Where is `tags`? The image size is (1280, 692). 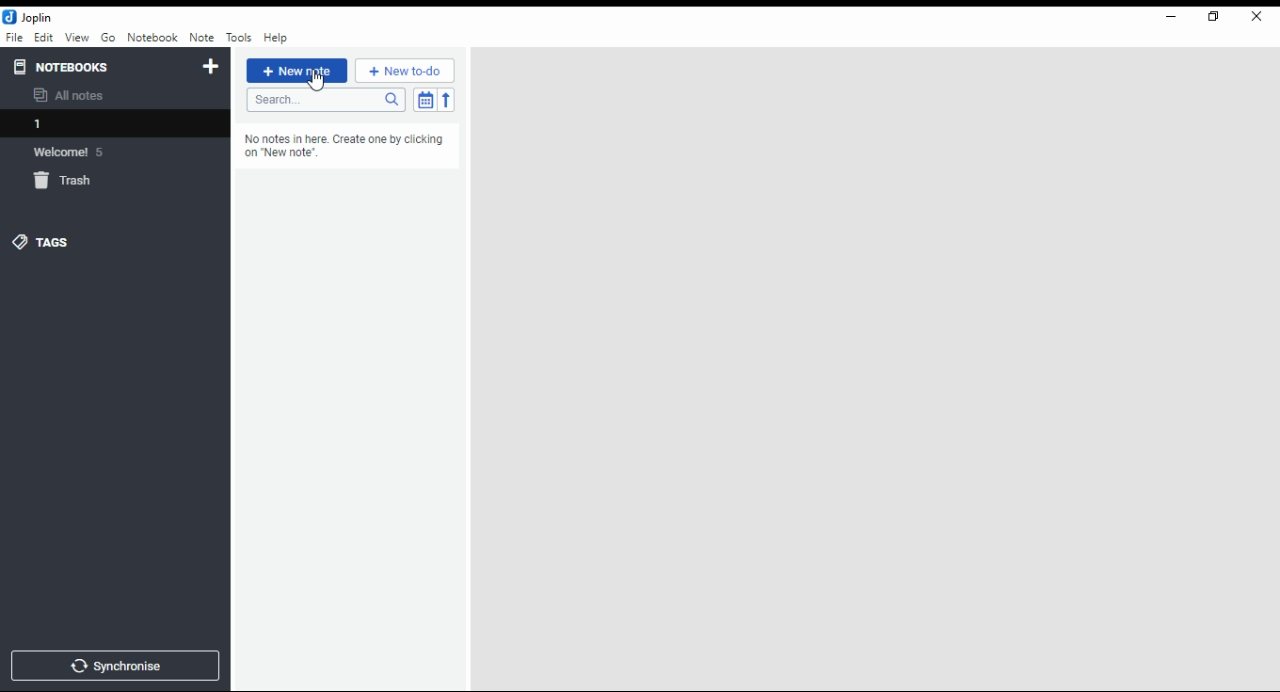
tags is located at coordinates (55, 242).